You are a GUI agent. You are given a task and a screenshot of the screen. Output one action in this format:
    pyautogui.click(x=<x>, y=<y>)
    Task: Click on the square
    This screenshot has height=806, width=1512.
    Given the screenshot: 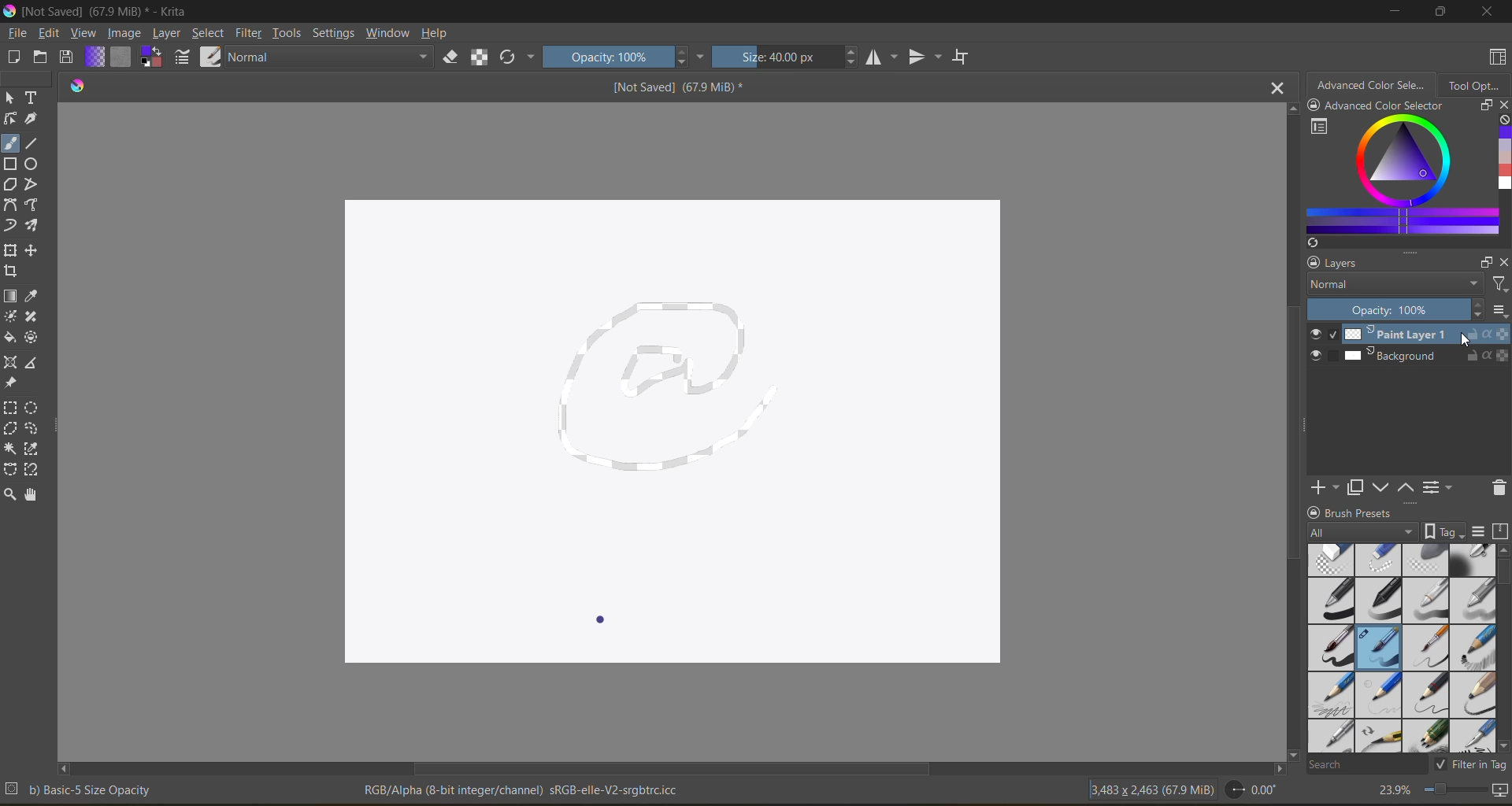 What is the action you would take?
    pyautogui.click(x=9, y=164)
    